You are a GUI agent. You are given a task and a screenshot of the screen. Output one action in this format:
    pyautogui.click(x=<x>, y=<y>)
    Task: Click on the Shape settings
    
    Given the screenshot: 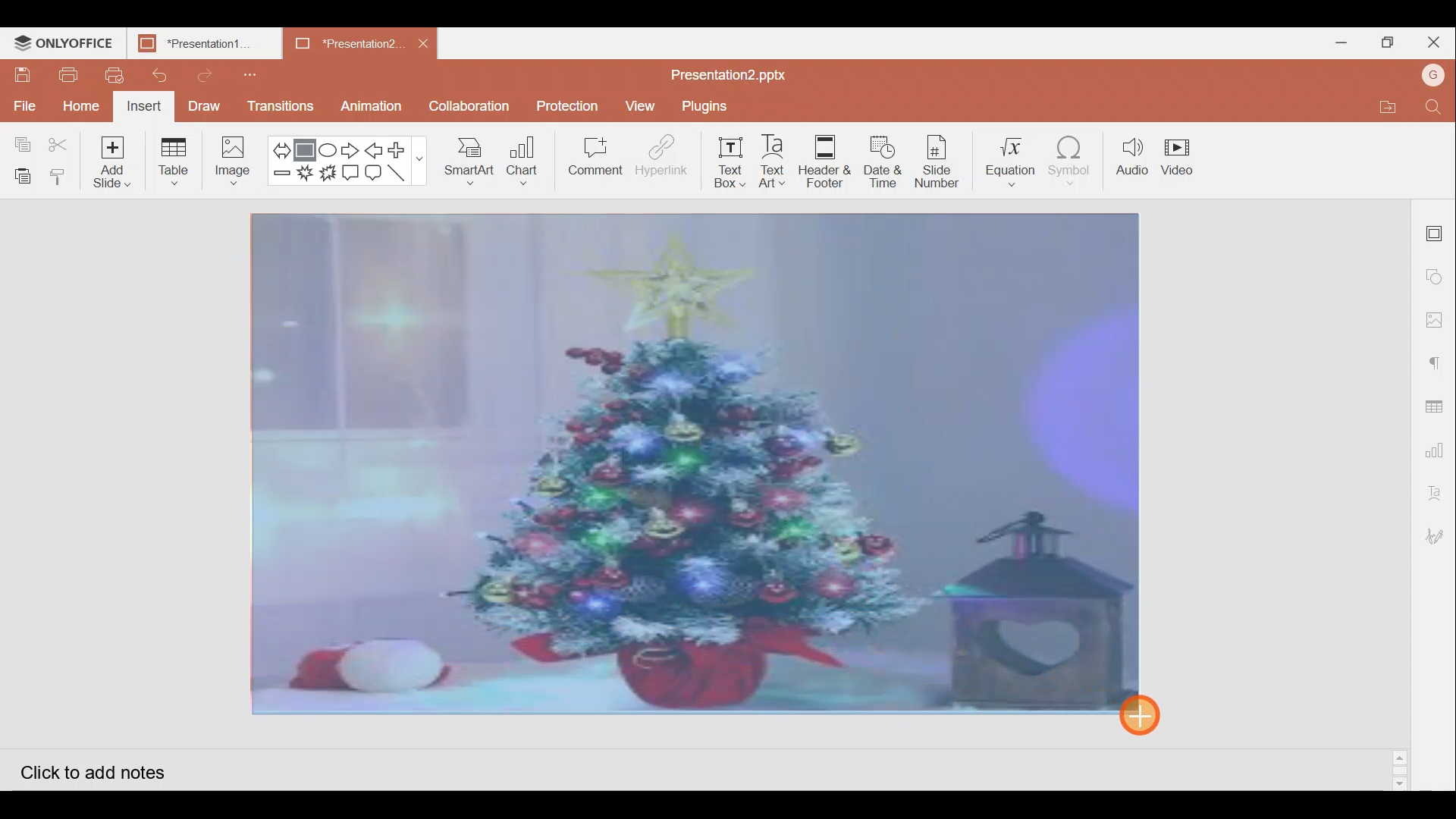 What is the action you would take?
    pyautogui.click(x=1438, y=272)
    